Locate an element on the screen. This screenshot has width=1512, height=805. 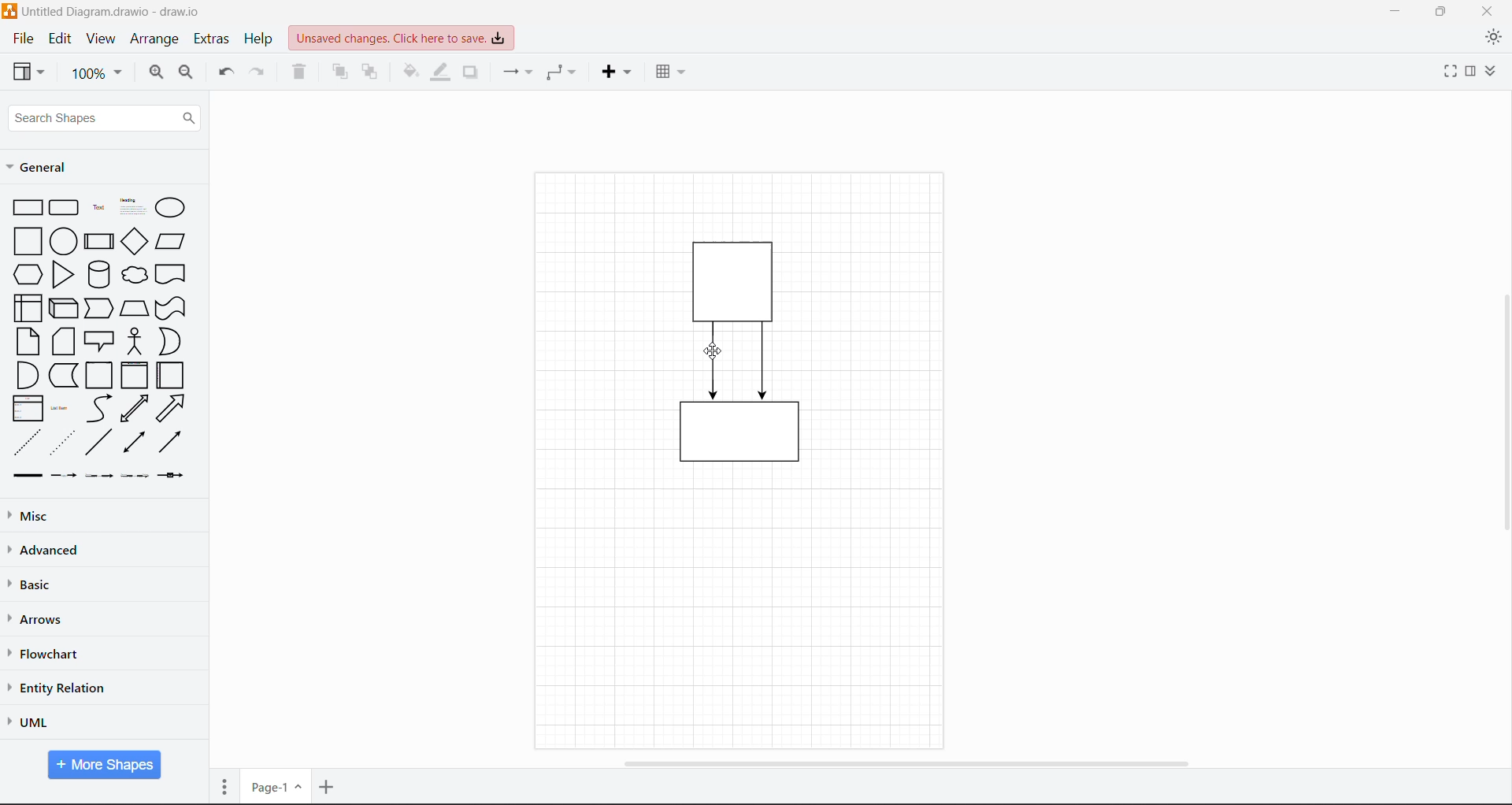
Appearance is located at coordinates (1493, 39).